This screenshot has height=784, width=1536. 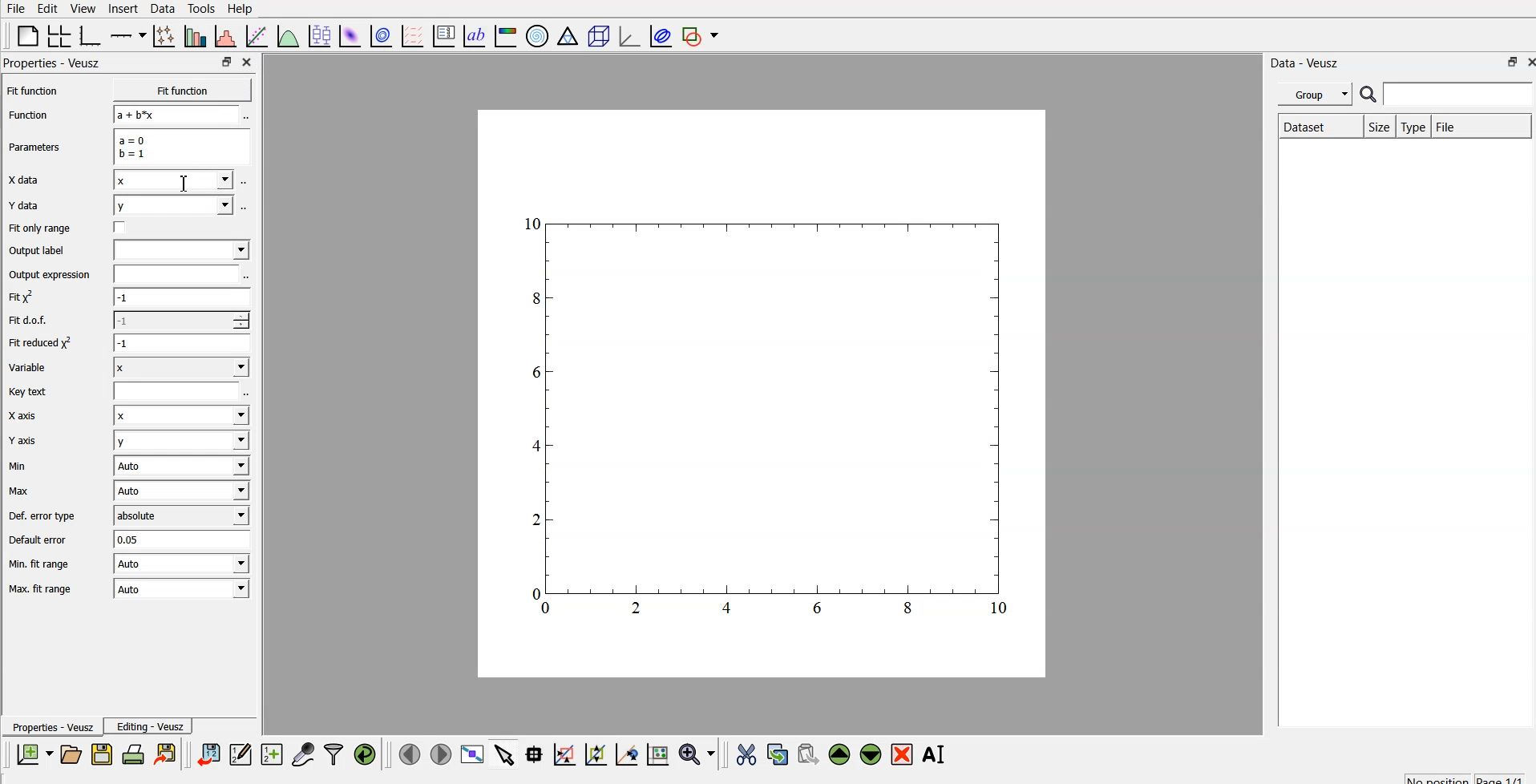 What do you see at coordinates (40, 321) in the screenshot?
I see `Fit dof.` at bounding box center [40, 321].